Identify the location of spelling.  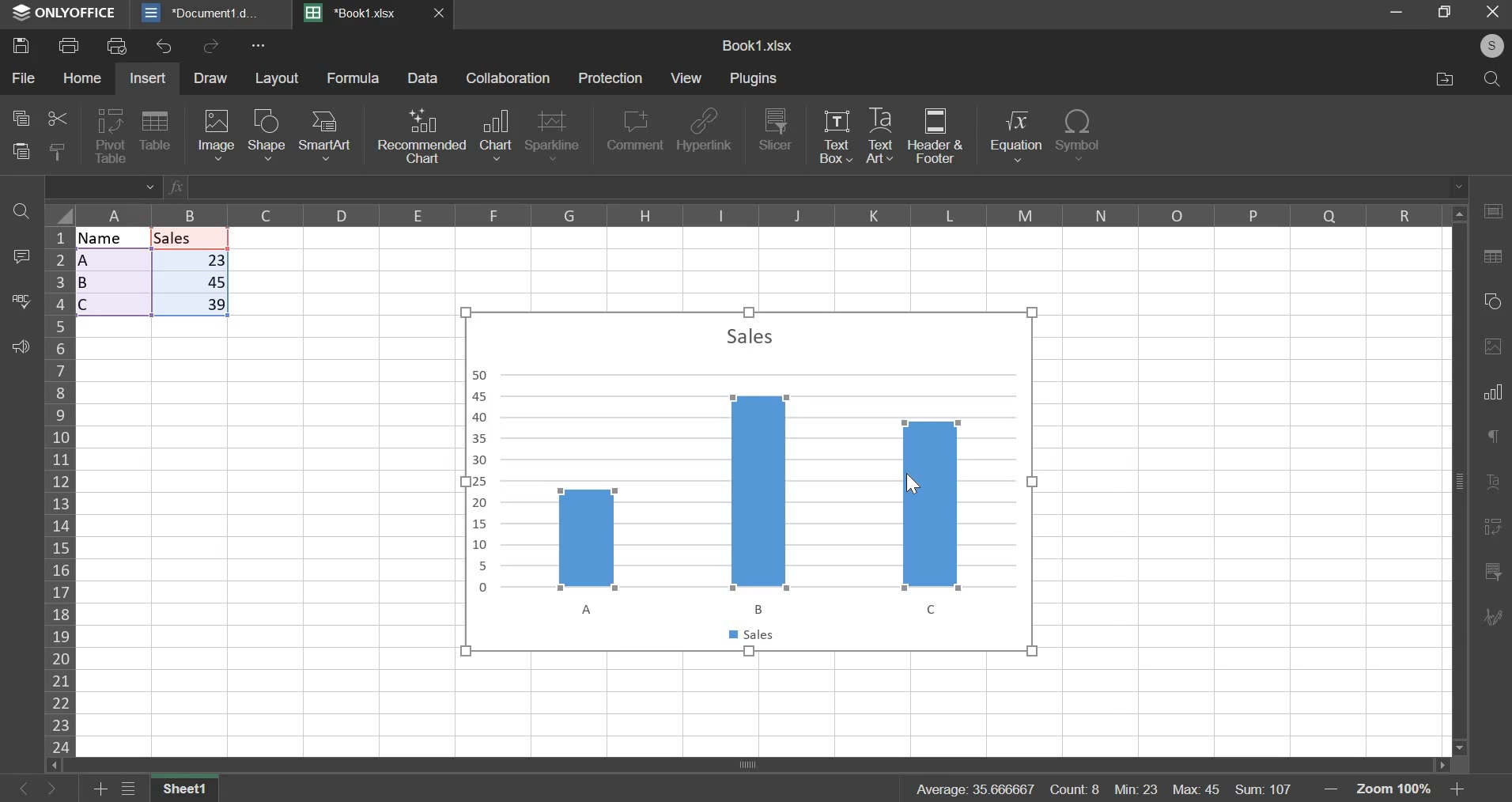
(20, 301).